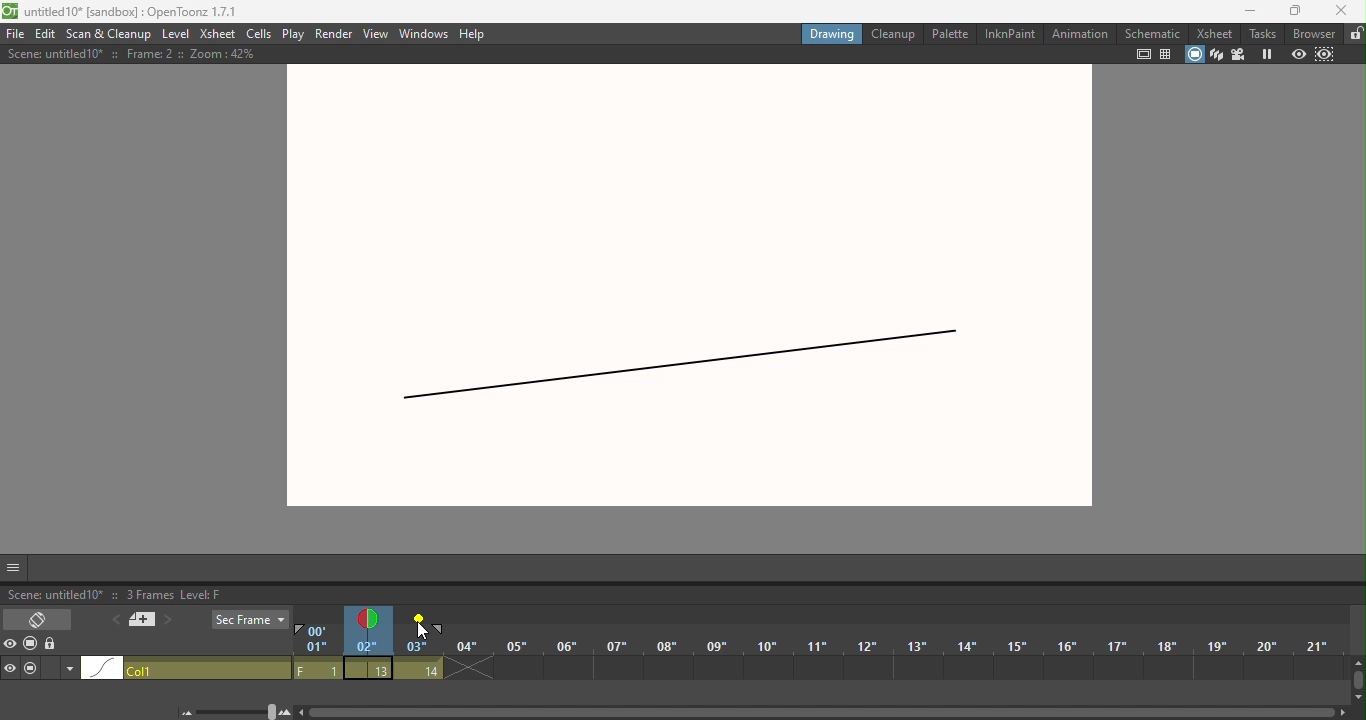 The height and width of the screenshot is (720, 1366). I want to click on Sec frame, so click(249, 620).